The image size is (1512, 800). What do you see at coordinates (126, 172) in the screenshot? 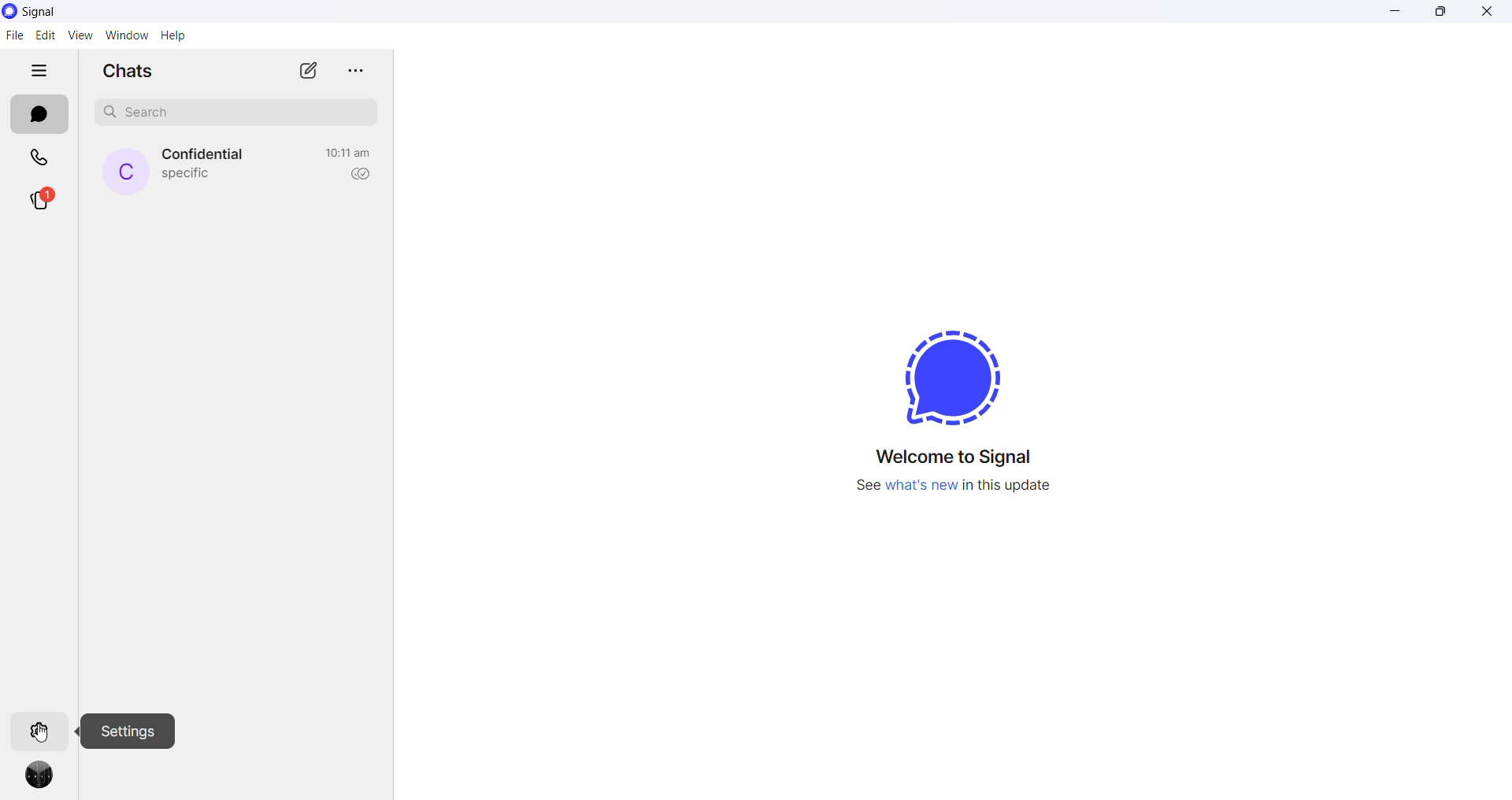
I see `profile picture` at bounding box center [126, 172].